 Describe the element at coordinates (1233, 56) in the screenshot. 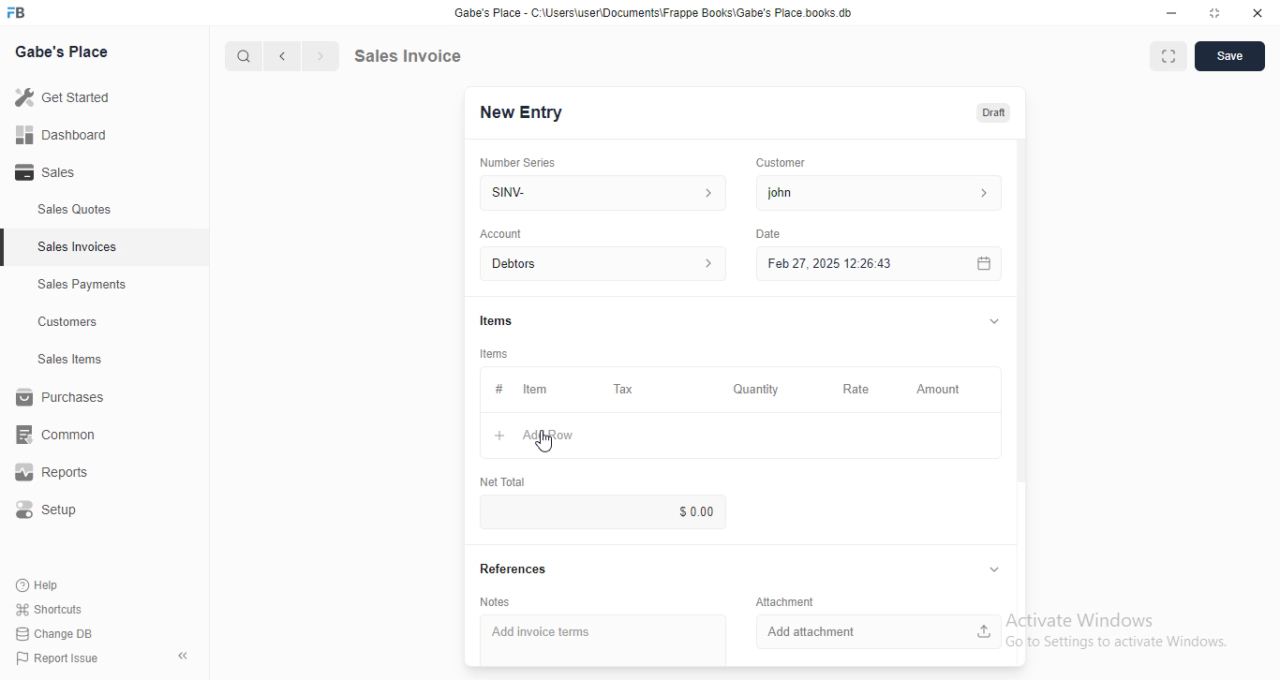

I see `Save` at that location.